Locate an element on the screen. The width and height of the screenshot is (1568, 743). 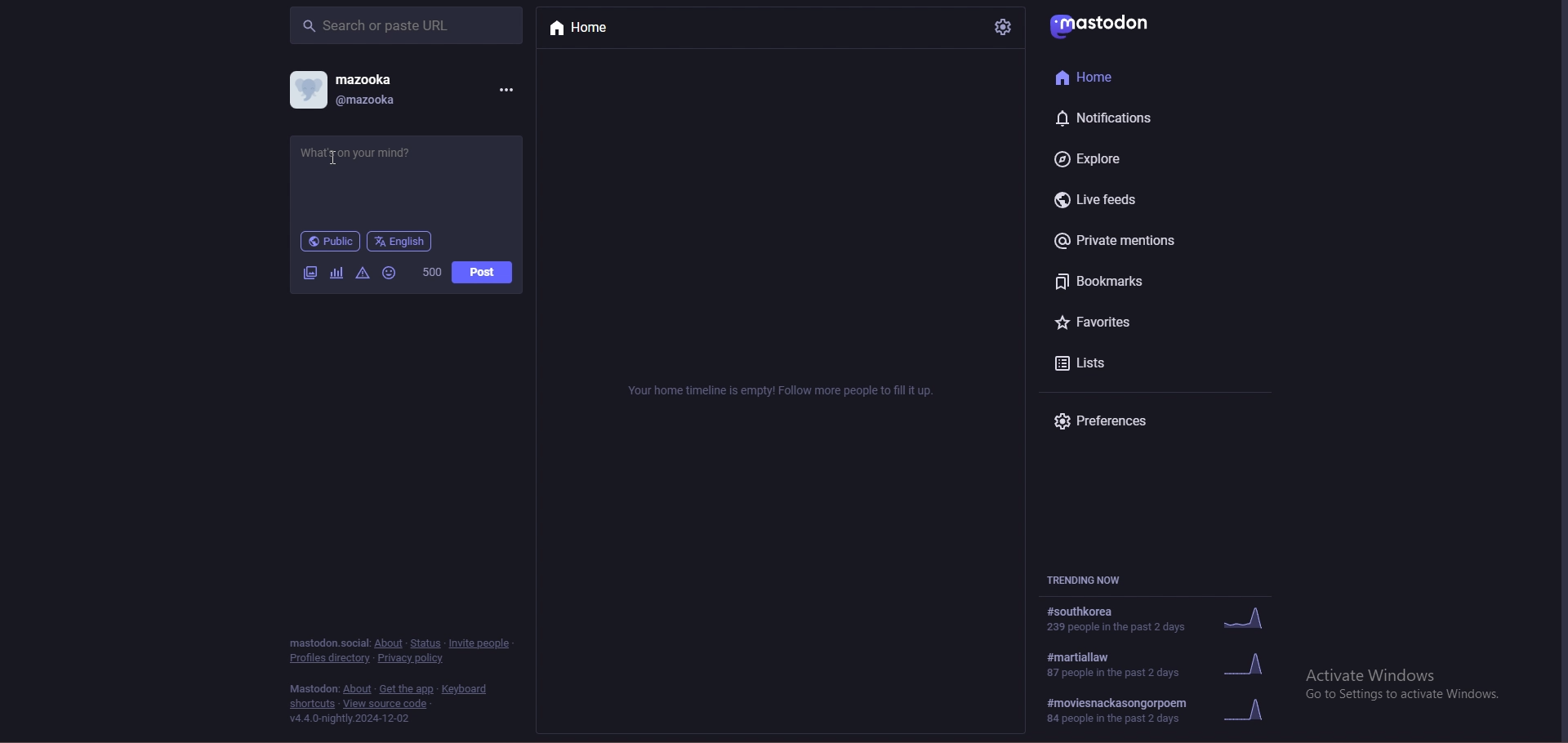
profiles directory is located at coordinates (329, 659).